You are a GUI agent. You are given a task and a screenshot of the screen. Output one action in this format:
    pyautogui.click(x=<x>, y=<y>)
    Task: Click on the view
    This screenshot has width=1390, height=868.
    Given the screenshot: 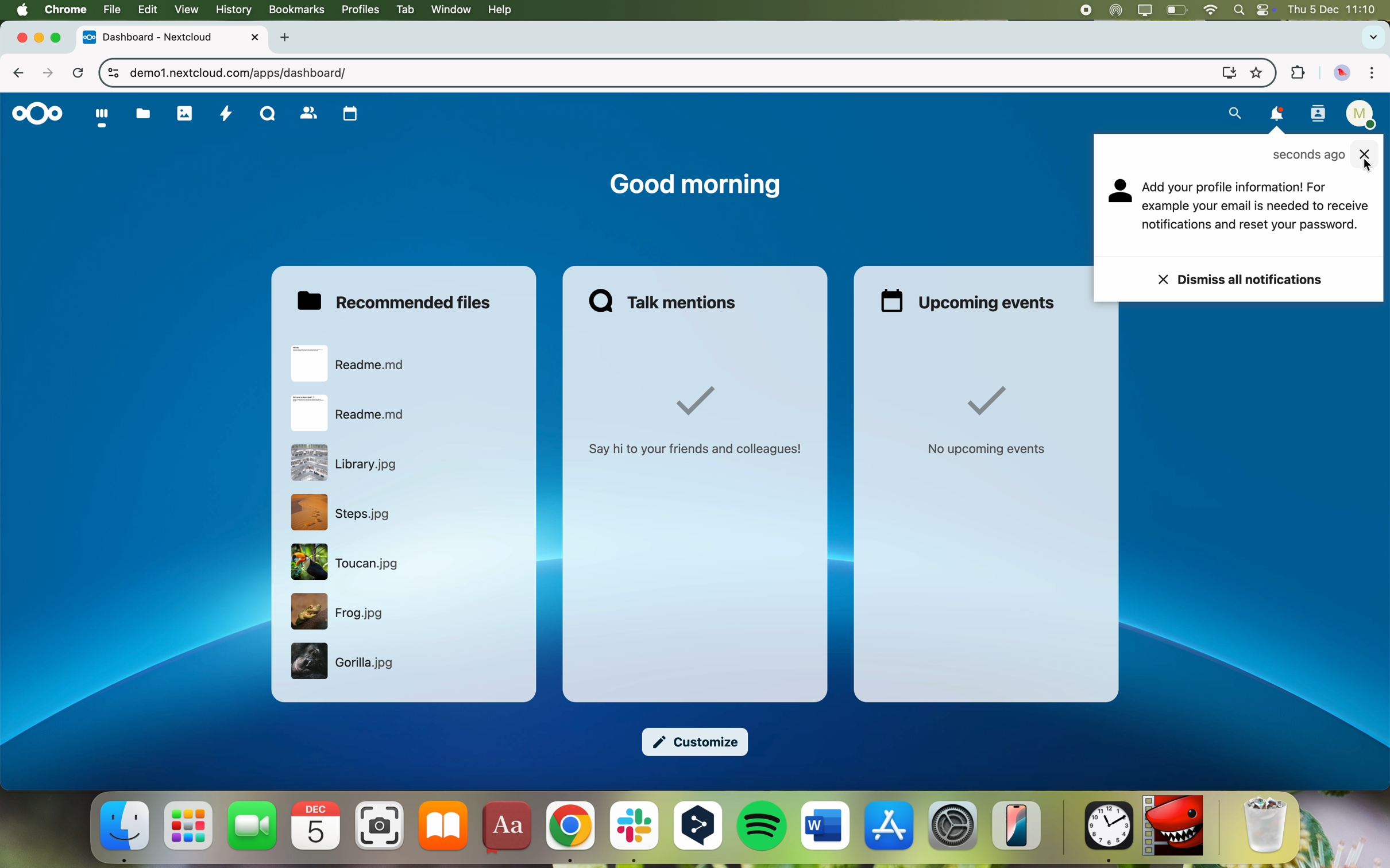 What is the action you would take?
    pyautogui.click(x=186, y=10)
    